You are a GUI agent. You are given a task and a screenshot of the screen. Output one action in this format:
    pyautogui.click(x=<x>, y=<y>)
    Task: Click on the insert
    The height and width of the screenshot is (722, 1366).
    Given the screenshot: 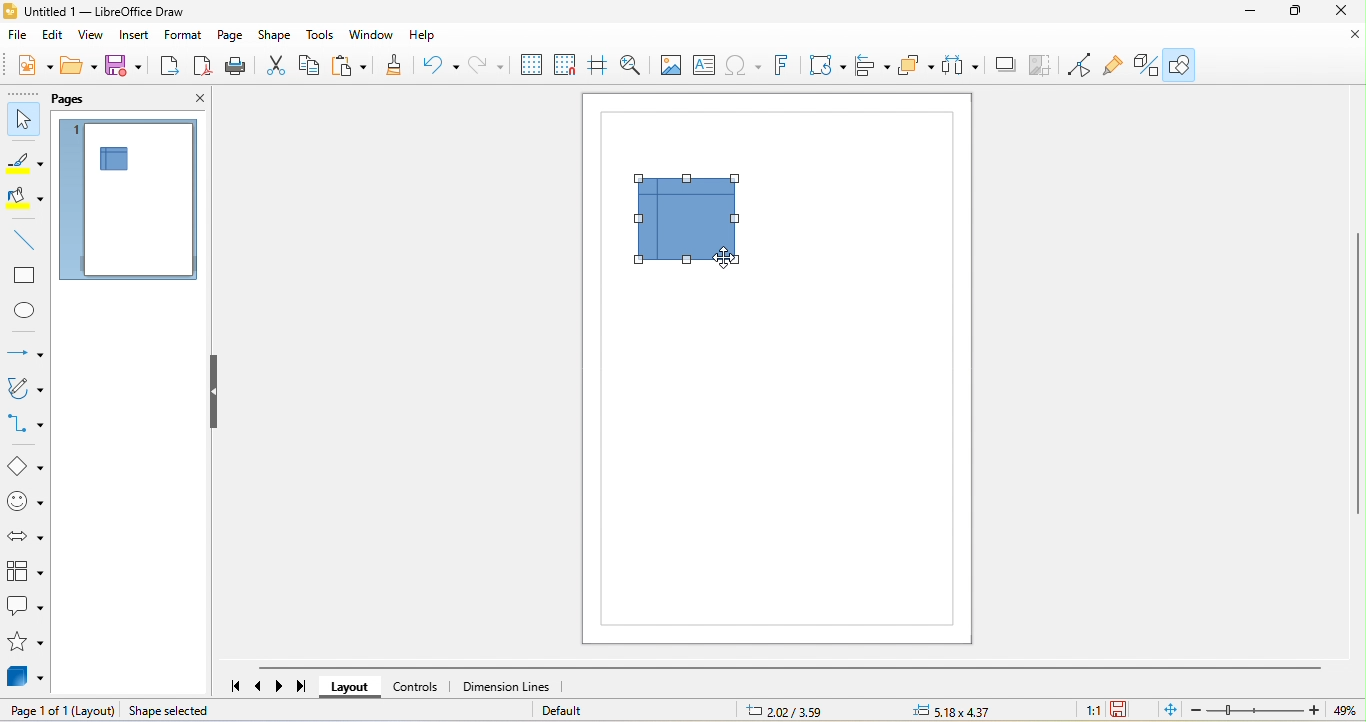 What is the action you would take?
    pyautogui.click(x=136, y=38)
    